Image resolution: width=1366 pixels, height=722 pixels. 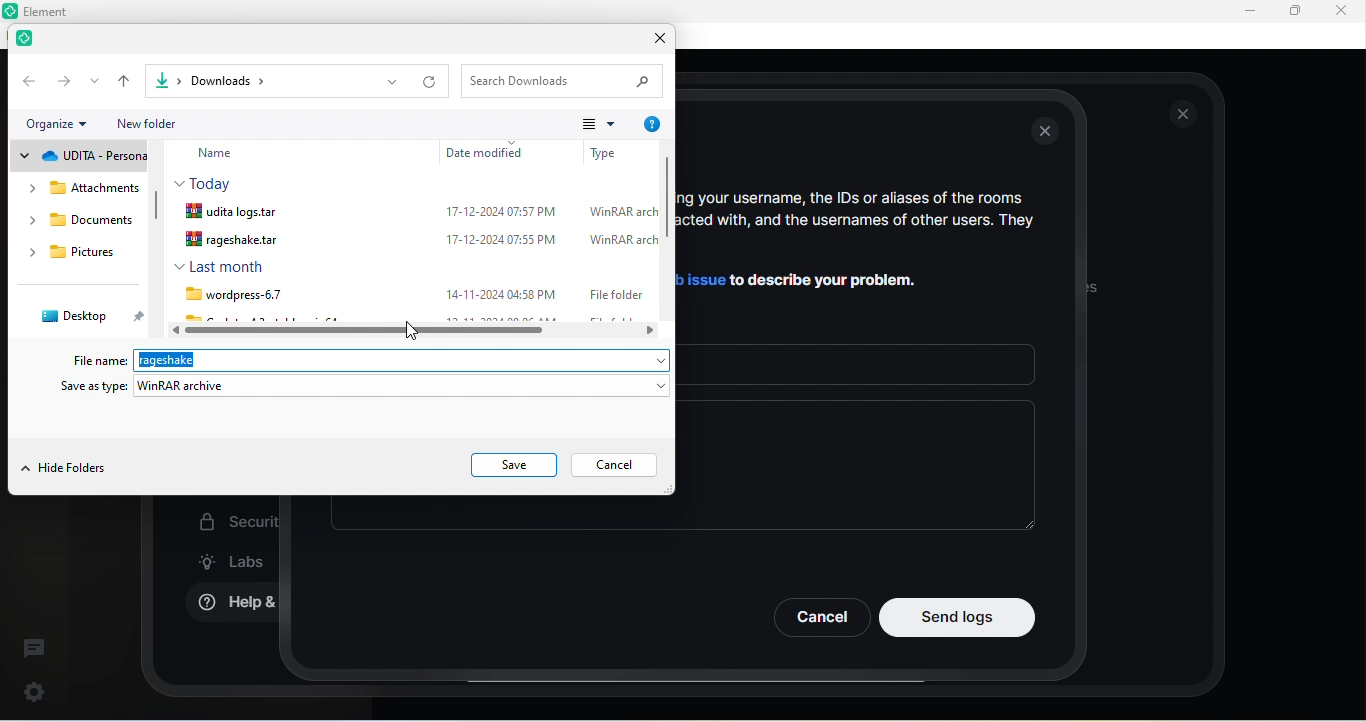 I want to click on element, so click(x=30, y=41).